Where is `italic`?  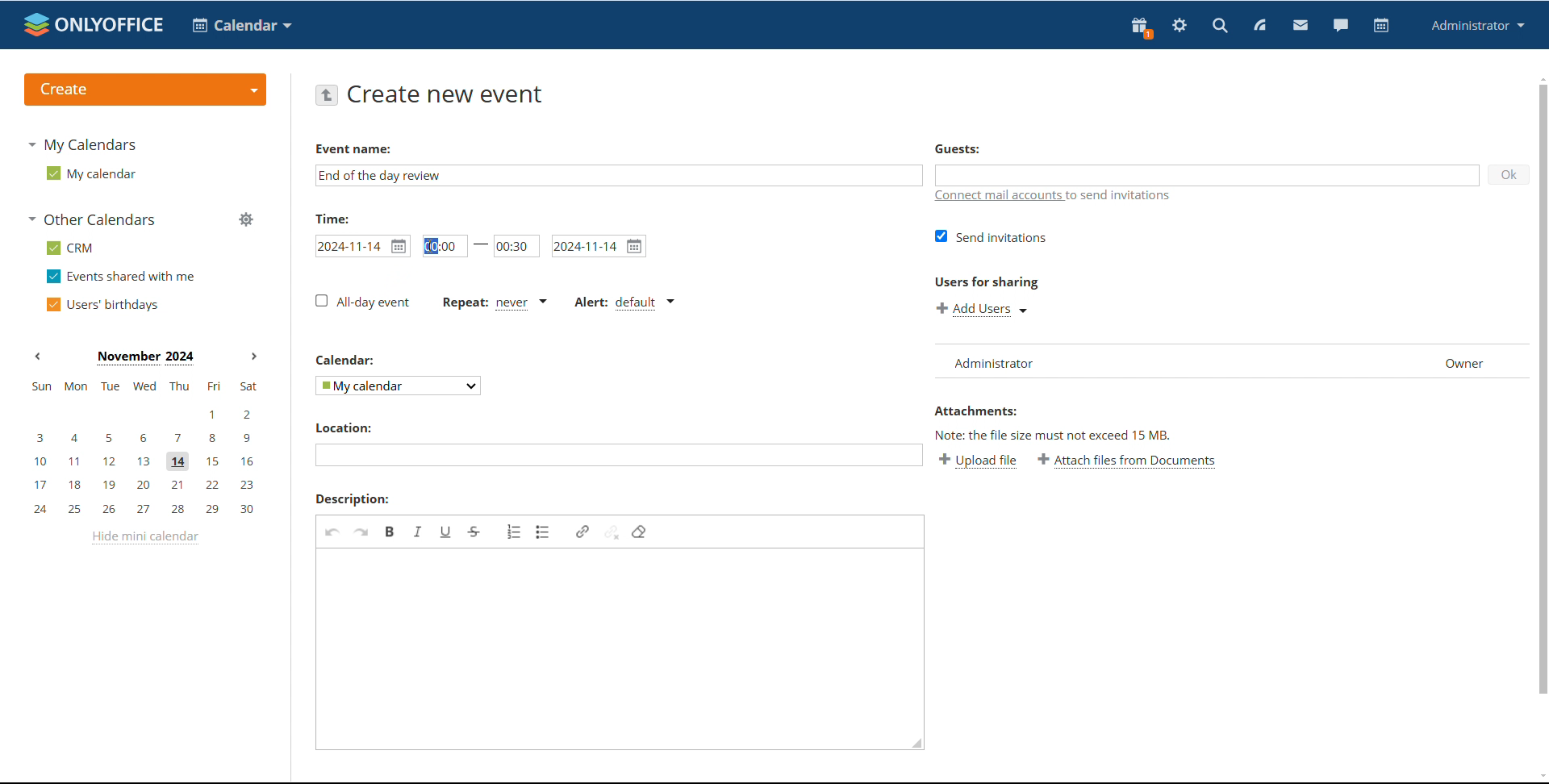 italic is located at coordinates (418, 531).